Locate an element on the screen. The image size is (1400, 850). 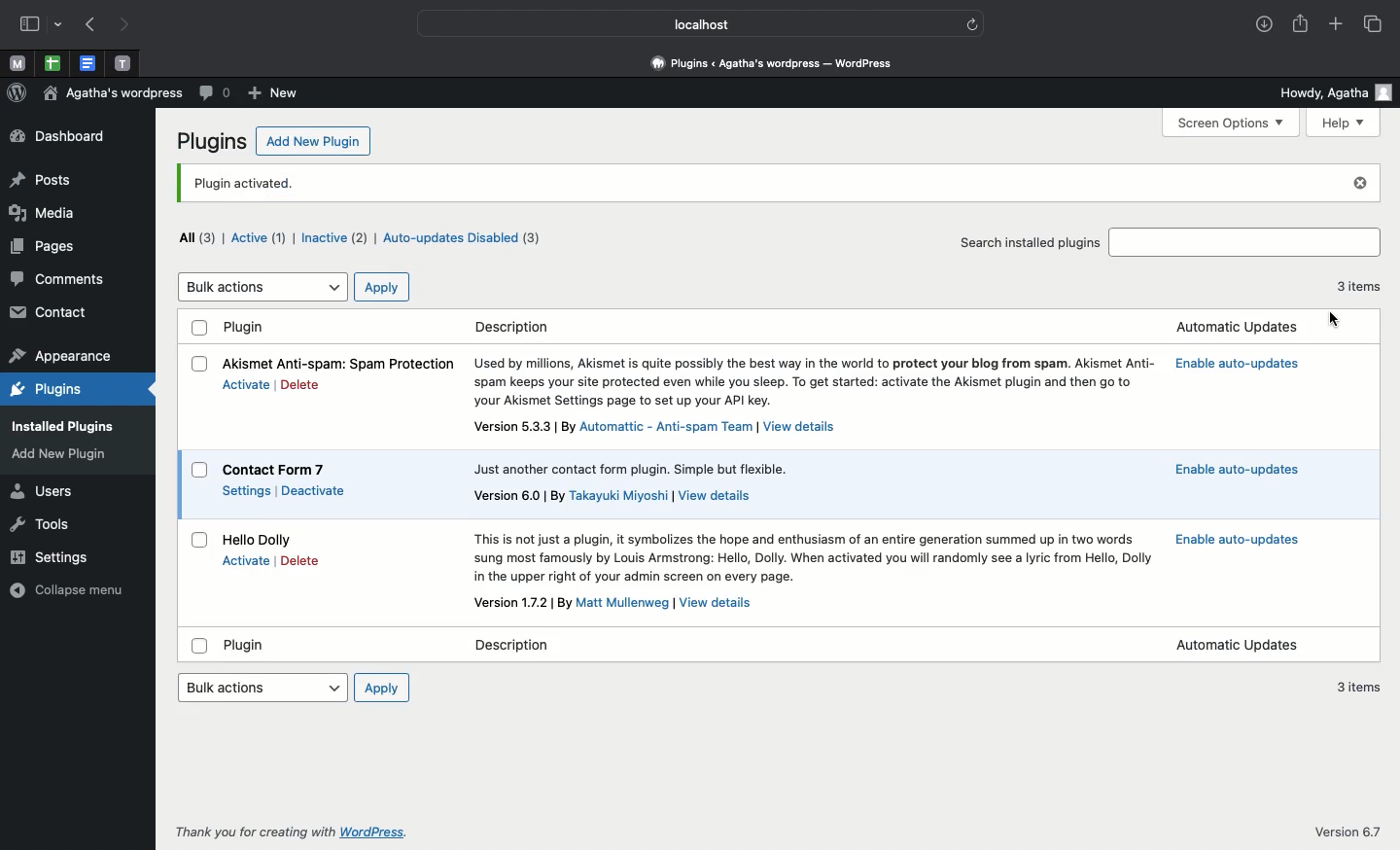
posts is located at coordinates (42, 181).